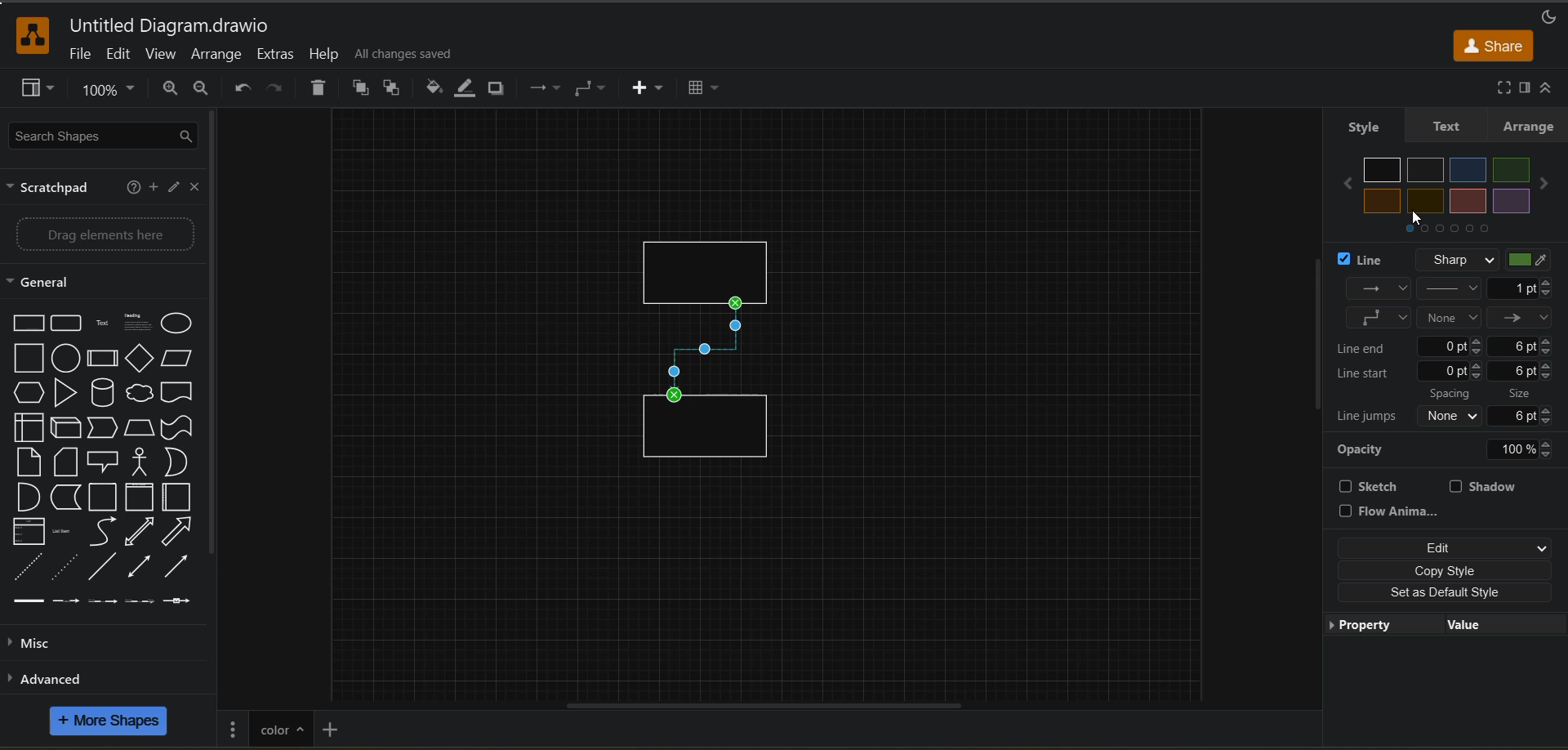 The width and height of the screenshot is (1568, 750). I want to click on Parallelogram, so click(180, 359).